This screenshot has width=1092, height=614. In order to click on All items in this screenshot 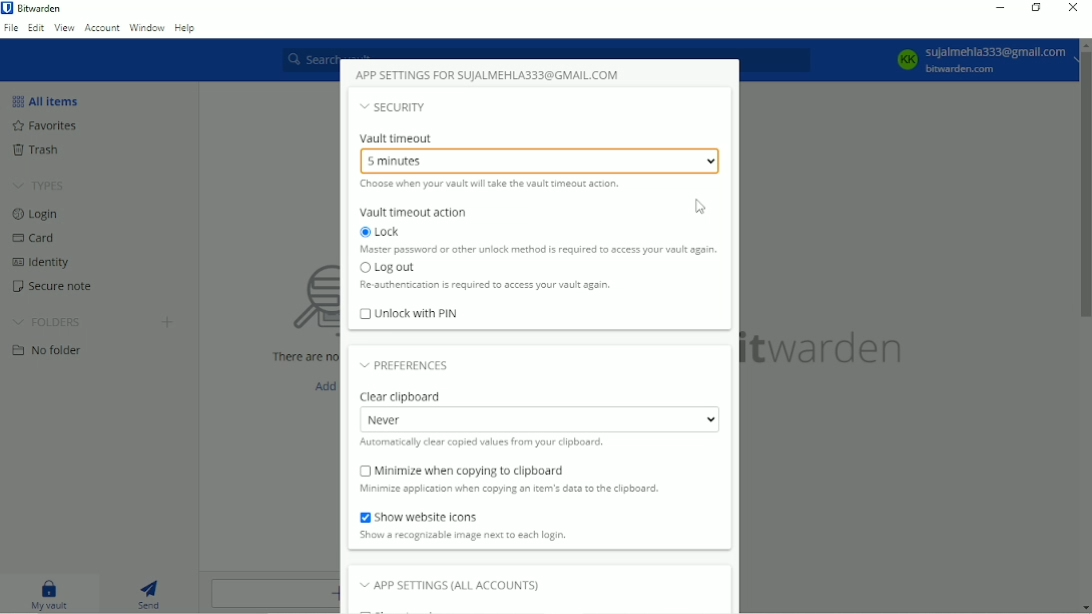, I will do `click(50, 102)`.